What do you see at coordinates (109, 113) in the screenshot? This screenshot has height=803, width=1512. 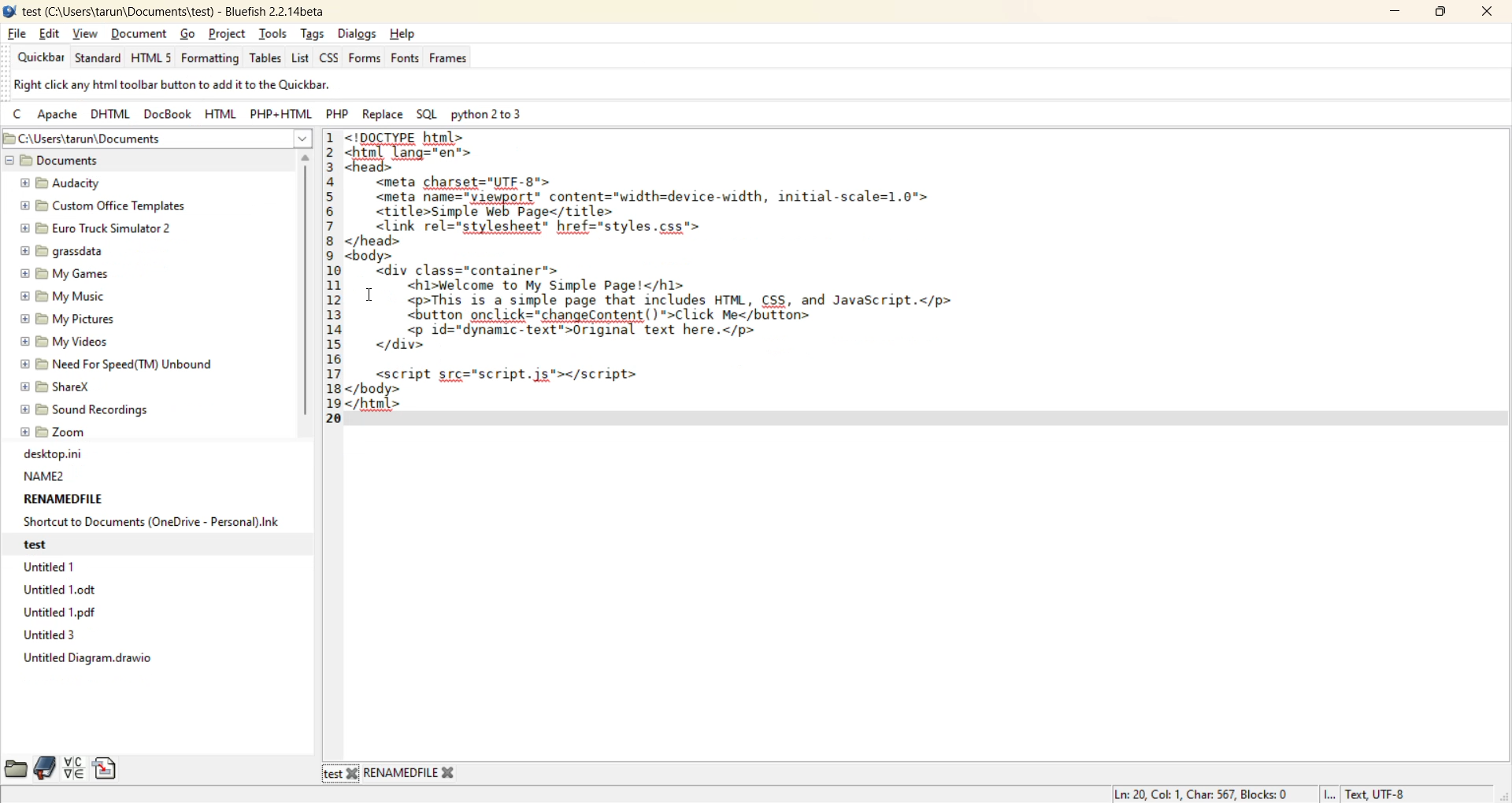 I see `dhtml` at bounding box center [109, 113].